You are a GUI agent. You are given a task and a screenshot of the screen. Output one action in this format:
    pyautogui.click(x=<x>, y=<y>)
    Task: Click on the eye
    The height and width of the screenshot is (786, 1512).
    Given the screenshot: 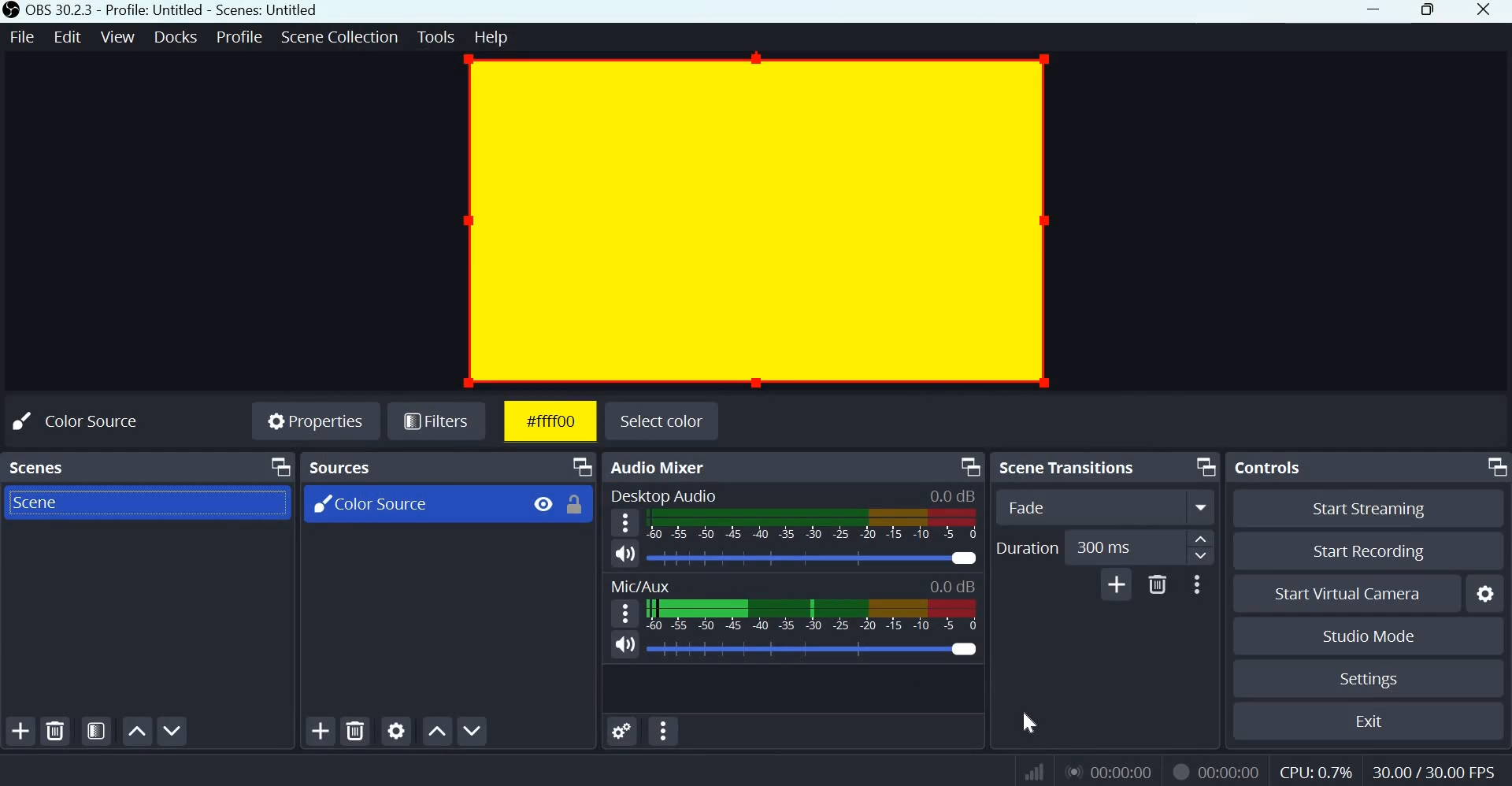 What is the action you would take?
    pyautogui.click(x=540, y=503)
    